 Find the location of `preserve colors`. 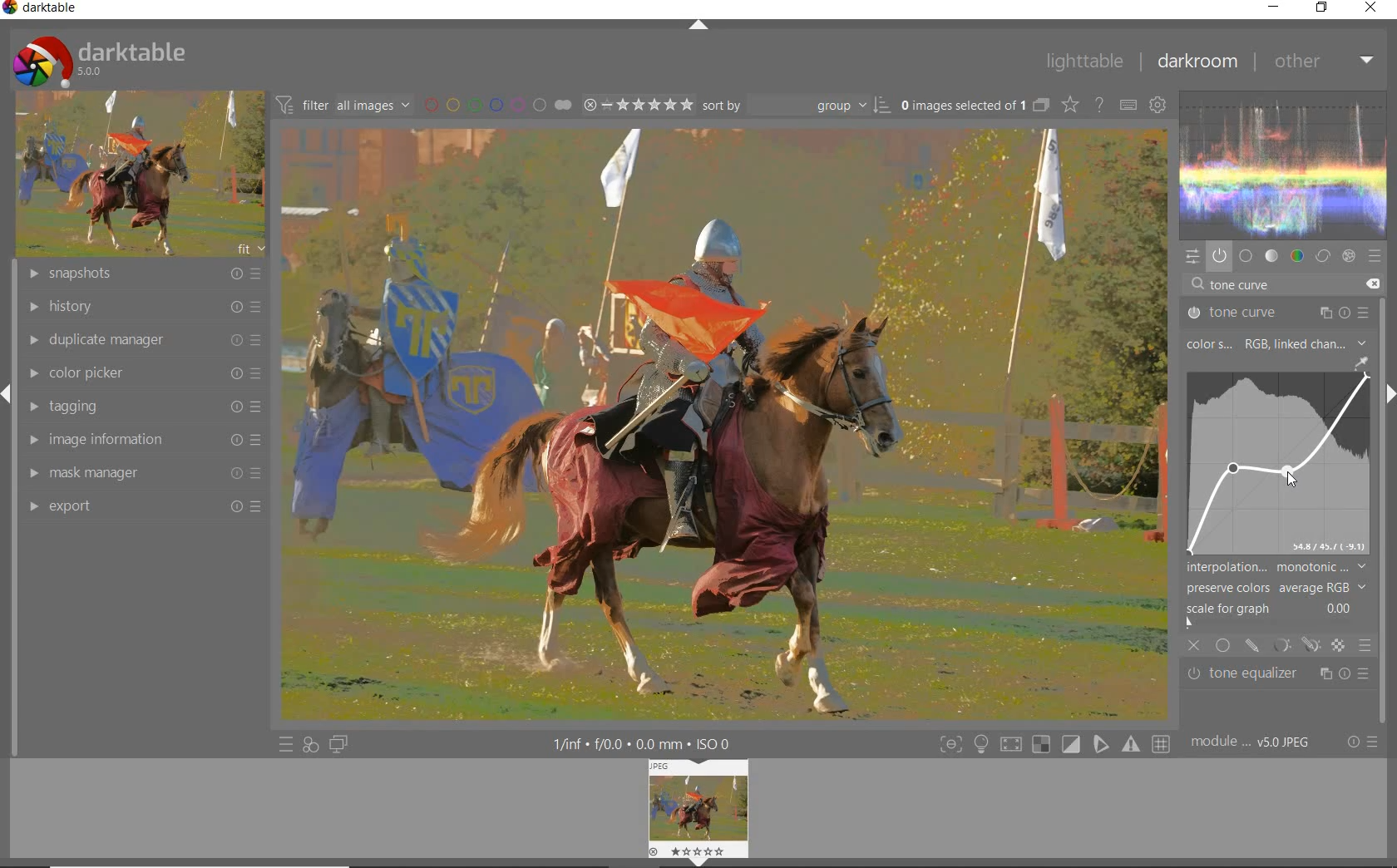

preserve colors is located at coordinates (1276, 588).